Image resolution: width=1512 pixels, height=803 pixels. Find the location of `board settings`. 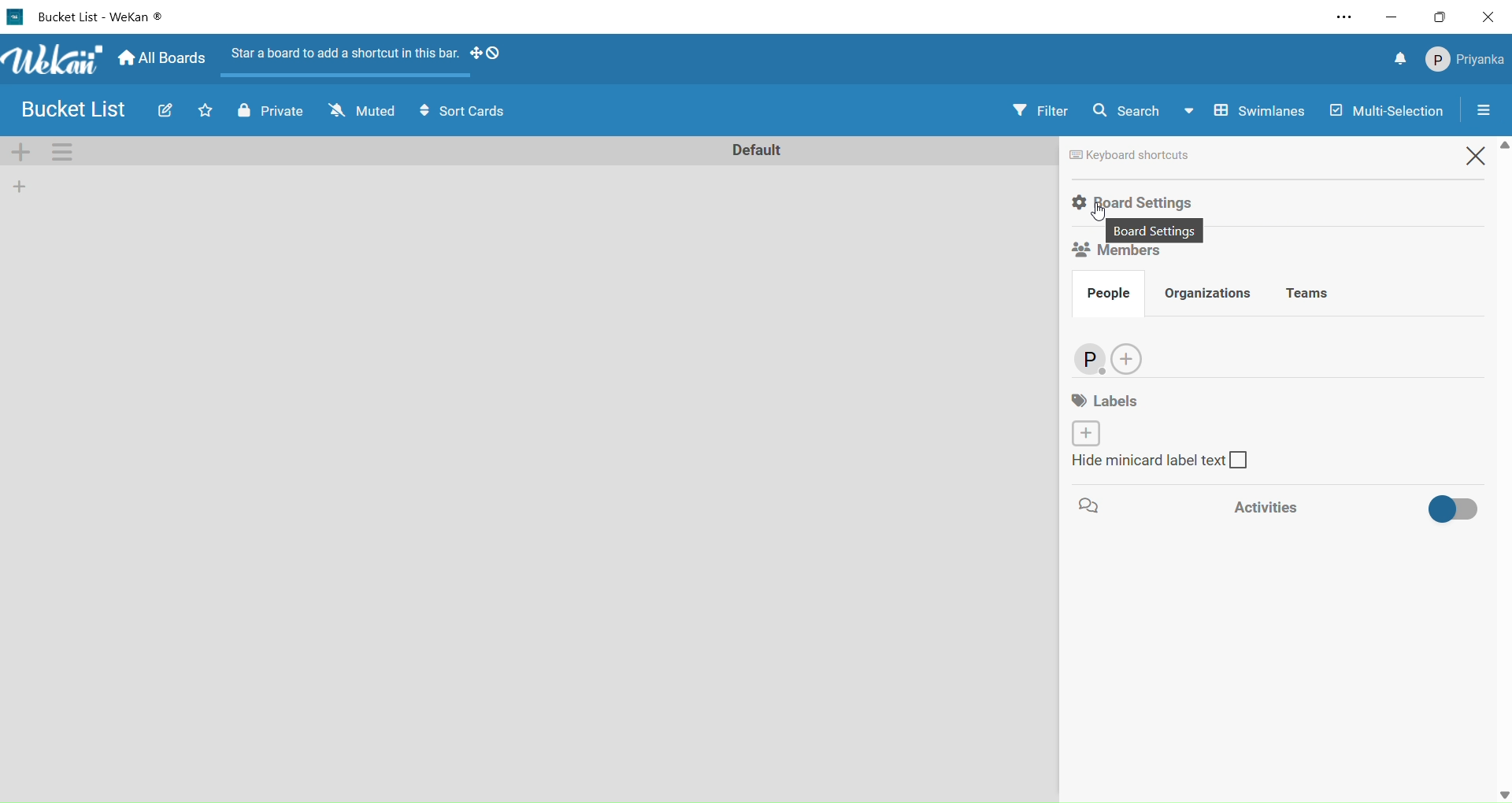

board settings is located at coordinates (1159, 229).